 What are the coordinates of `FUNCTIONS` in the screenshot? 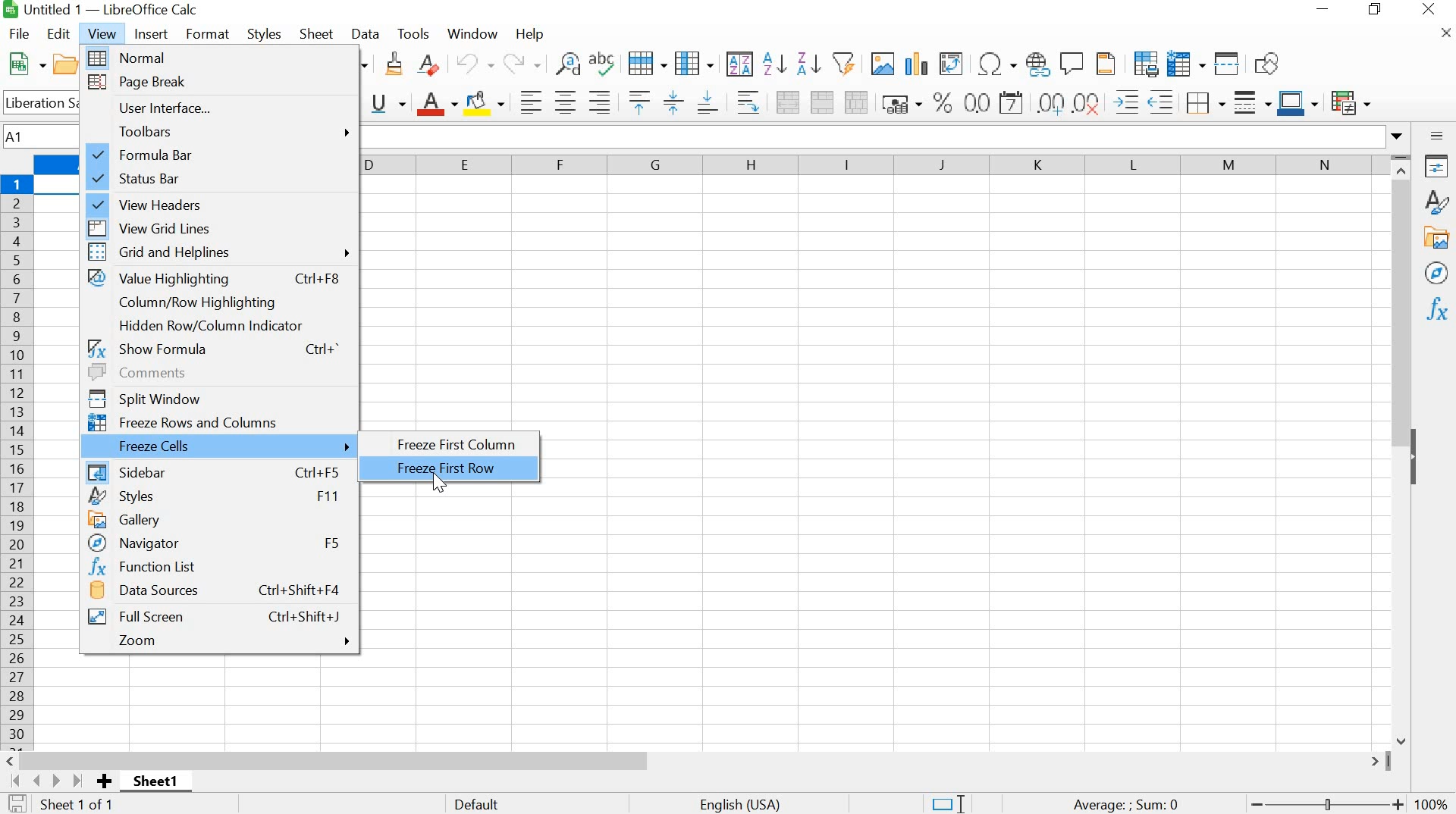 It's located at (1436, 311).